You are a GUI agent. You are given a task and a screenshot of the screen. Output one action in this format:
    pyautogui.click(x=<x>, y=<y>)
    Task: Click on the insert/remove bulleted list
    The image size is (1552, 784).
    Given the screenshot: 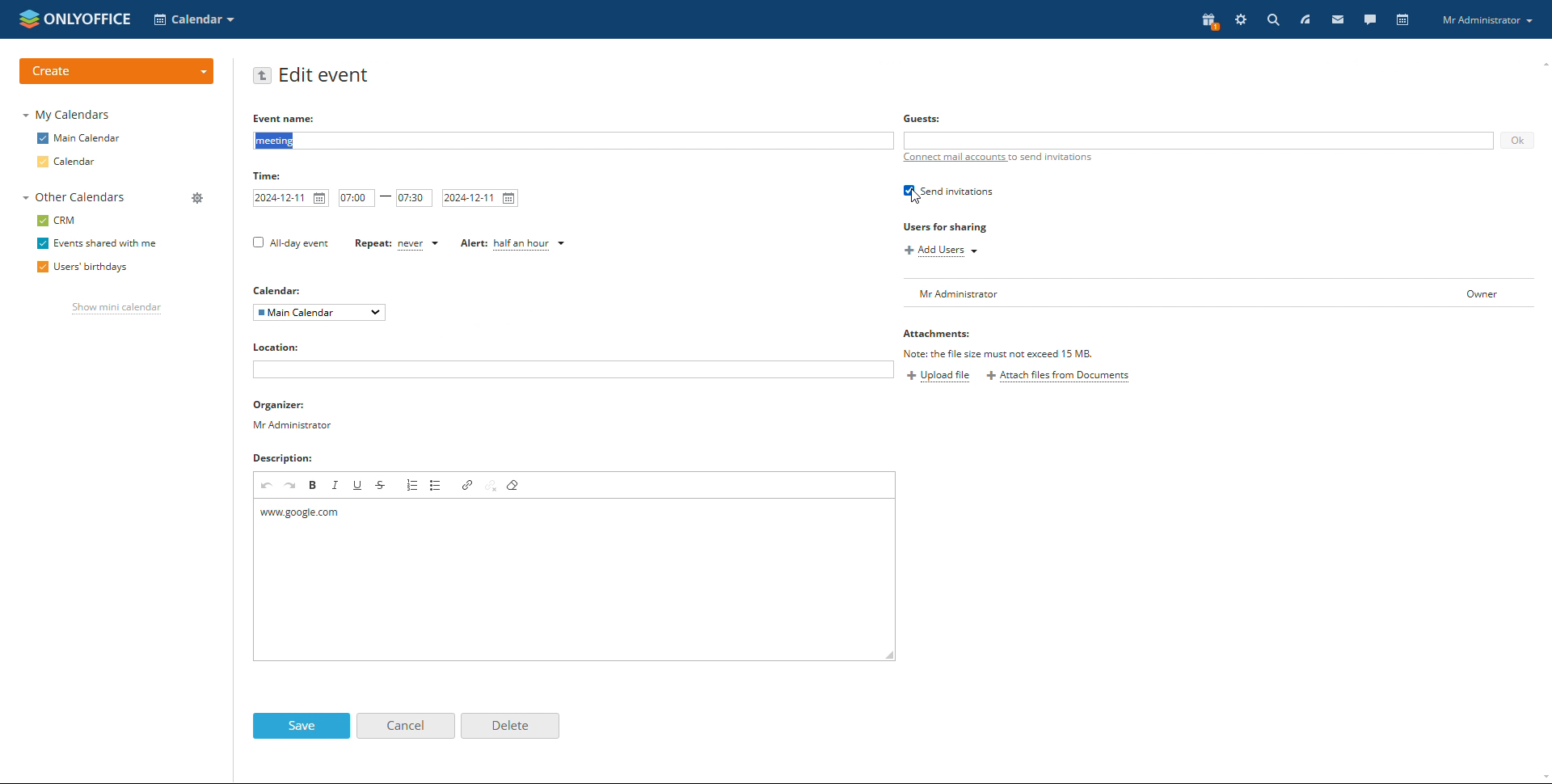 What is the action you would take?
    pyautogui.click(x=437, y=485)
    